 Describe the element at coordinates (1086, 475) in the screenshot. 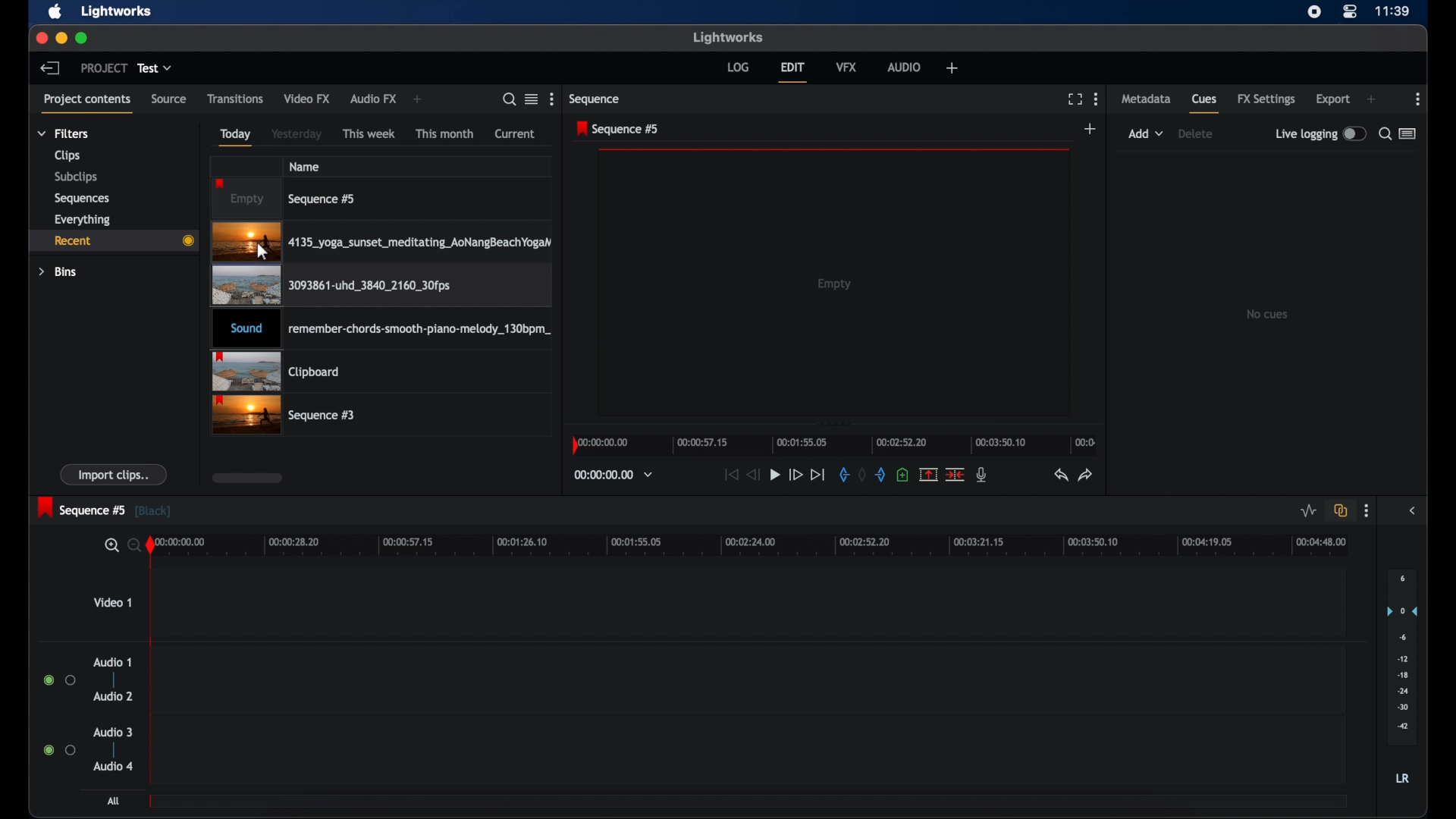

I see `redo` at that location.